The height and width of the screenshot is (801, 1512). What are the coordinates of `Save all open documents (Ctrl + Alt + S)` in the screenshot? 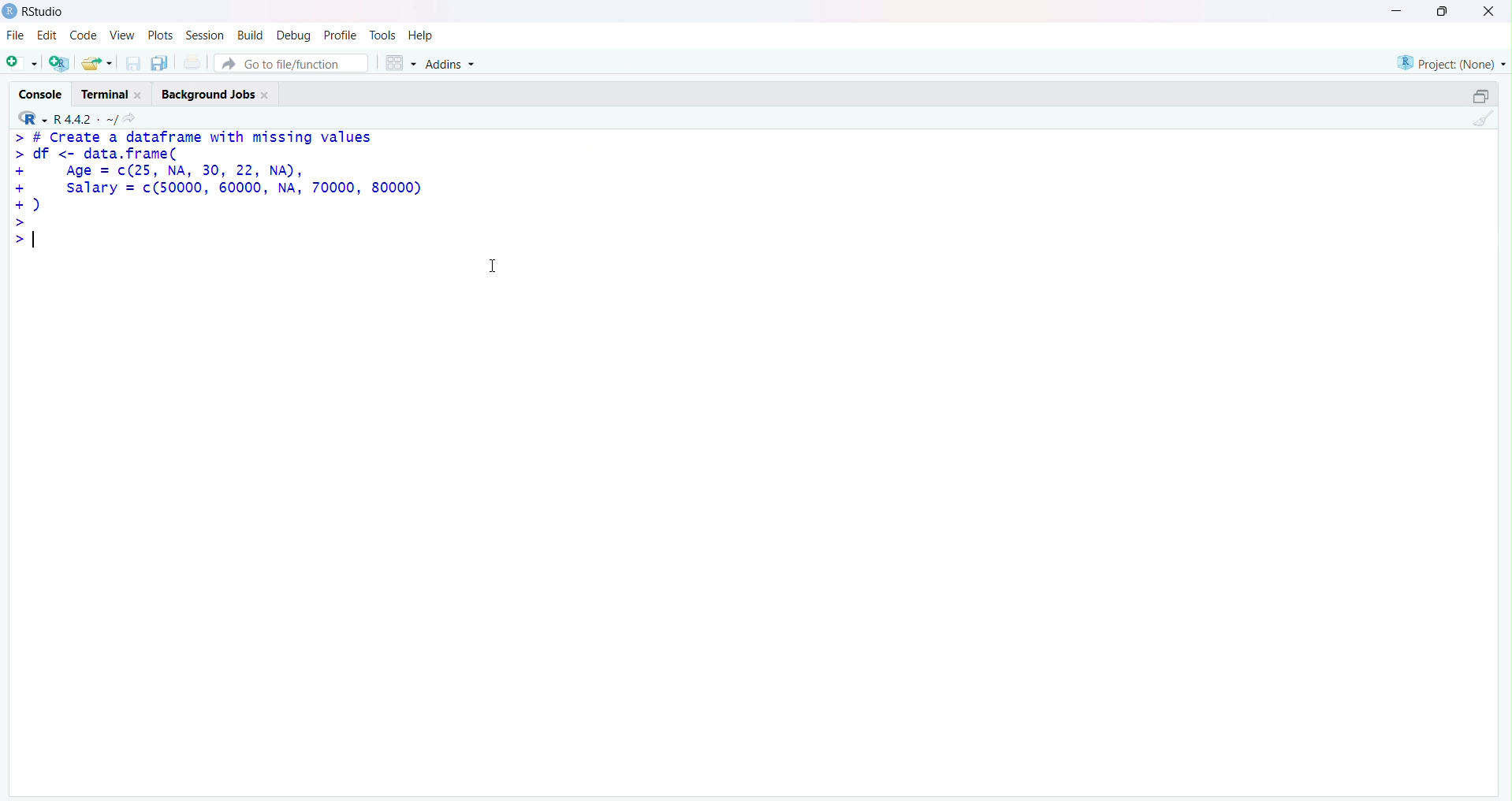 It's located at (159, 61).